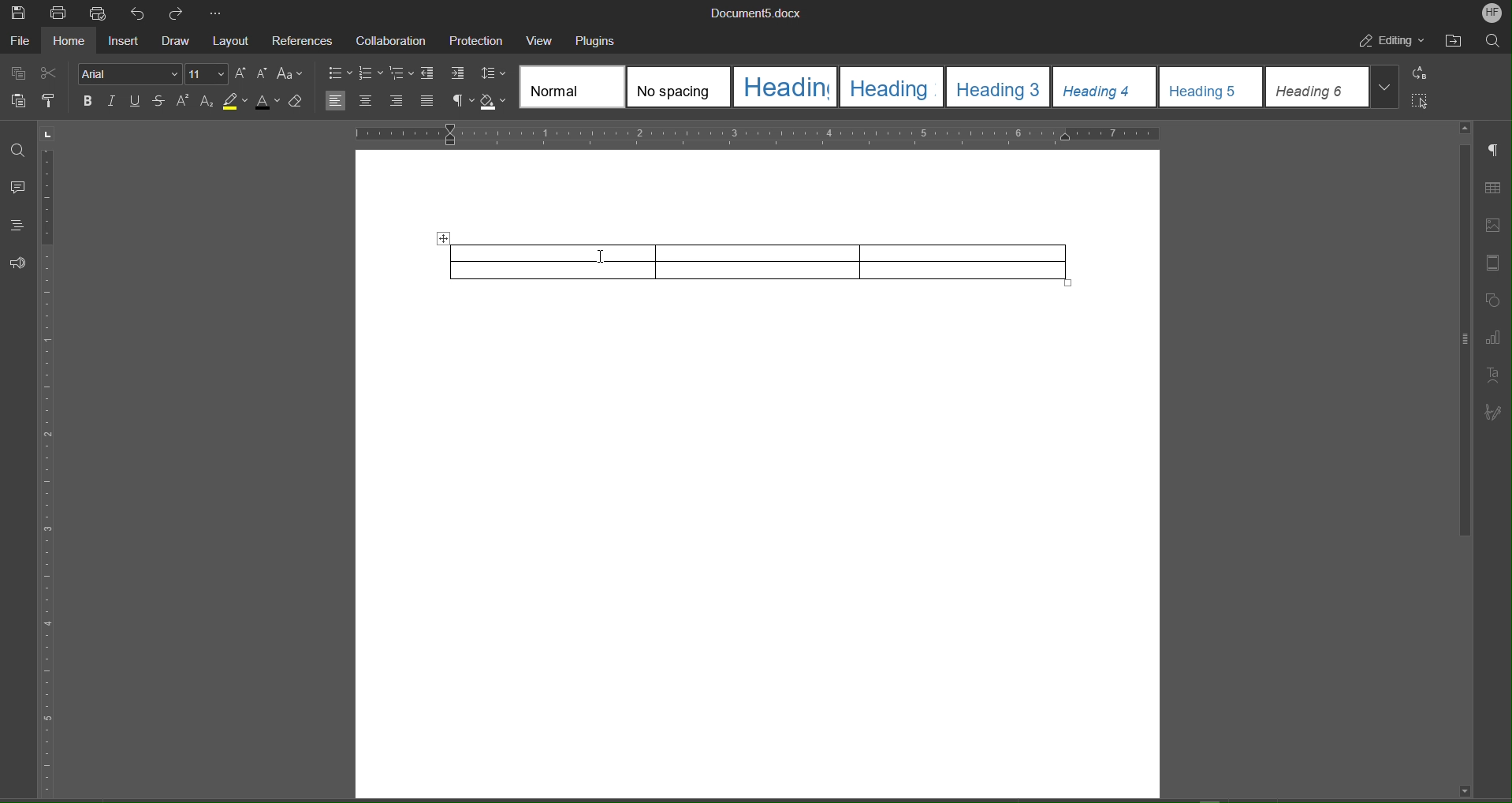 The image size is (1512, 803). What do you see at coordinates (18, 223) in the screenshot?
I see `Headings` at bounding box center [18, 223].